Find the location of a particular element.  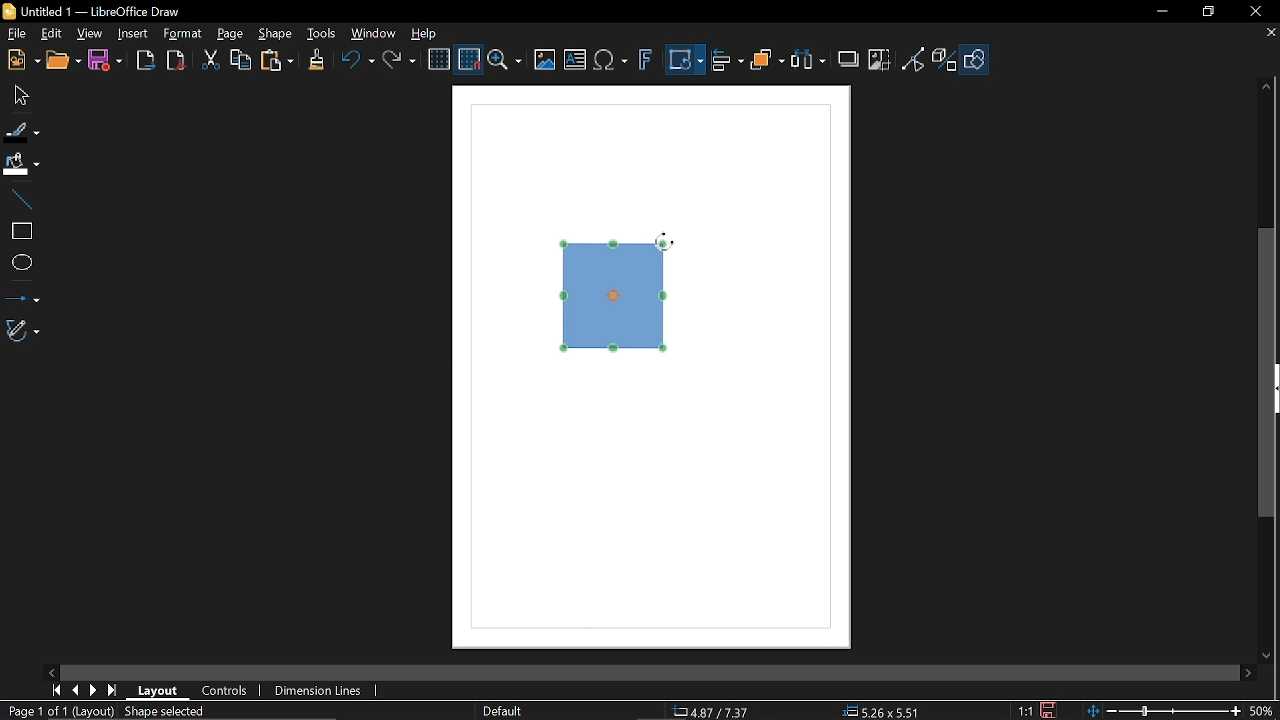

Diagram rotated is located at coordinates (612, 297).